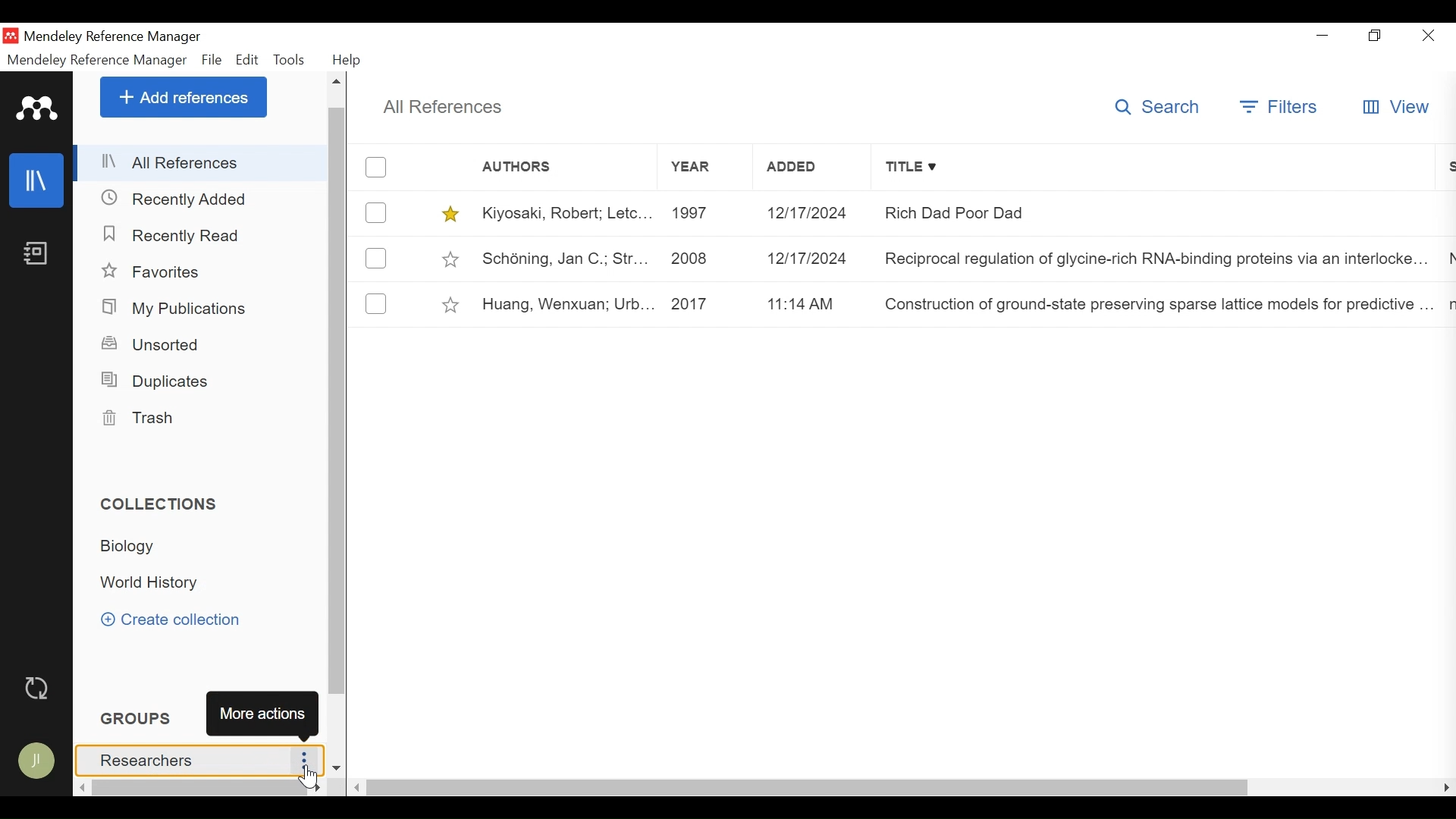 The height and width of the screenshot is (819, 1456). I want to click on Recently Added, so click(176, 235).